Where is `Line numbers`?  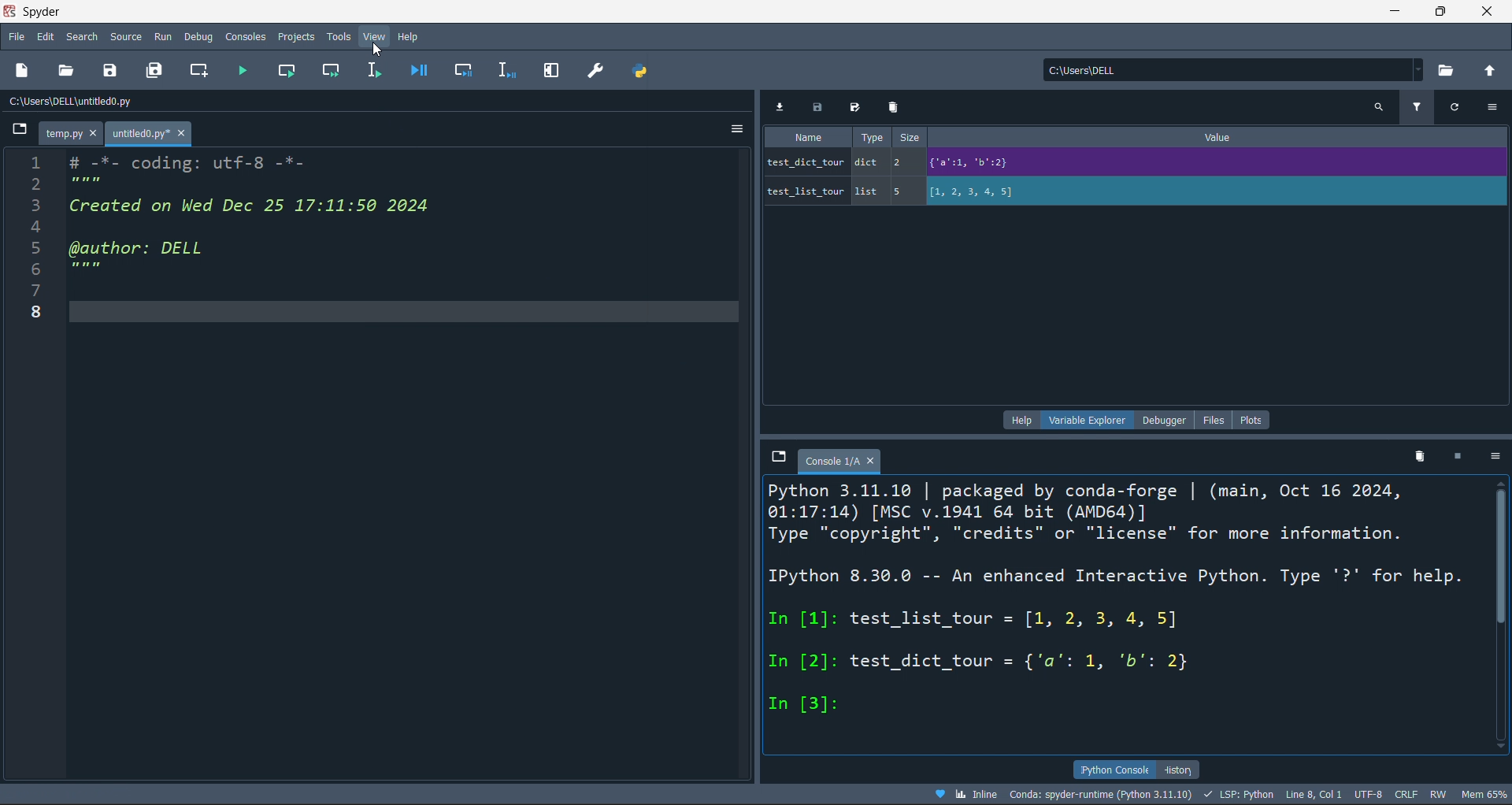
Line numbers is located at coordinates (34, 244).